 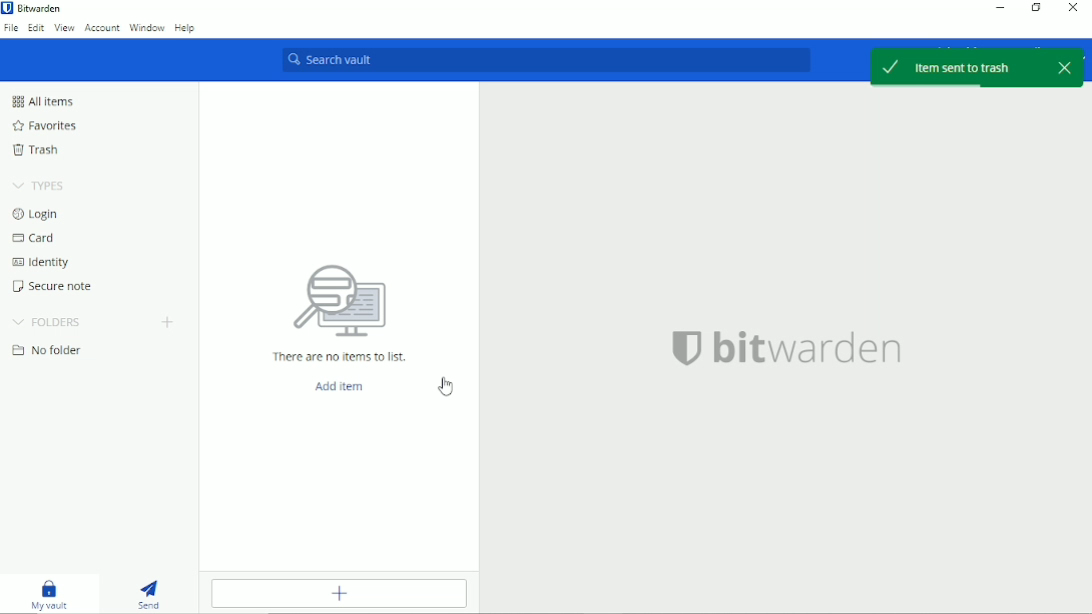 What do you see at coordinates (339, 298) in the screenshot?
I see `icon` at bounding box center [339, 298].